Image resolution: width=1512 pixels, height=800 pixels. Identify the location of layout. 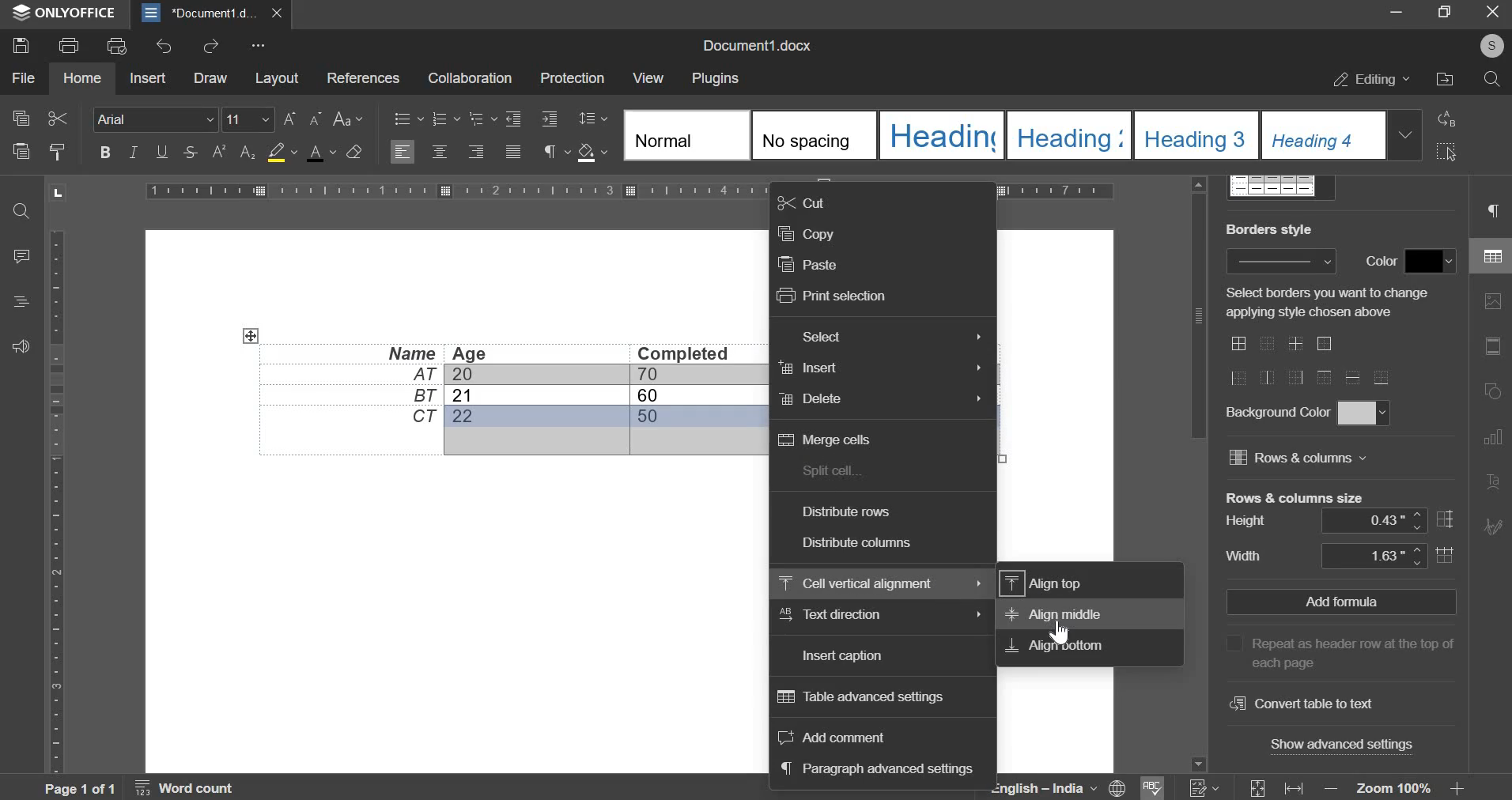
(275, 77).